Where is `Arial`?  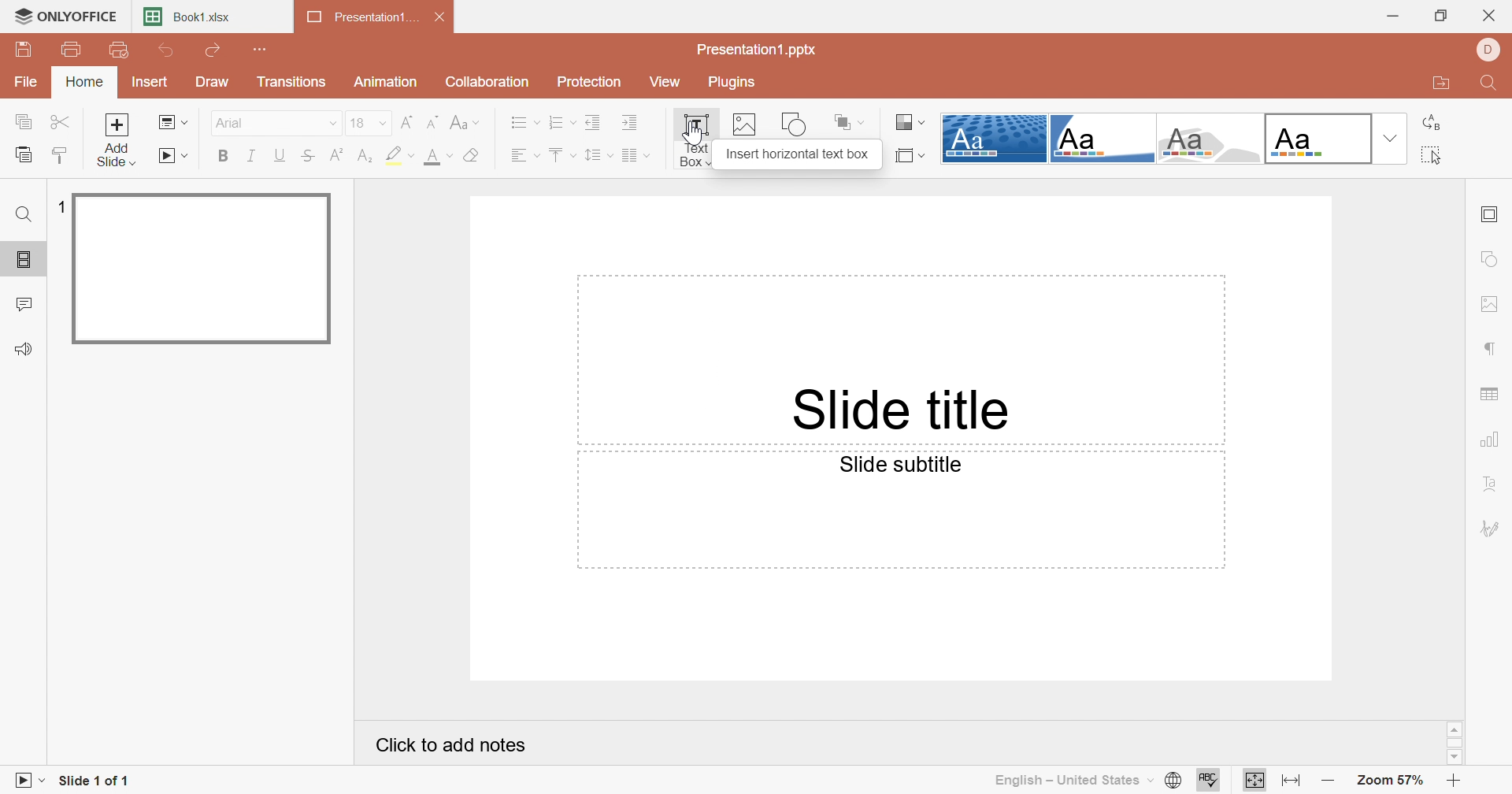 Arial is located at coordinates (272, 122).